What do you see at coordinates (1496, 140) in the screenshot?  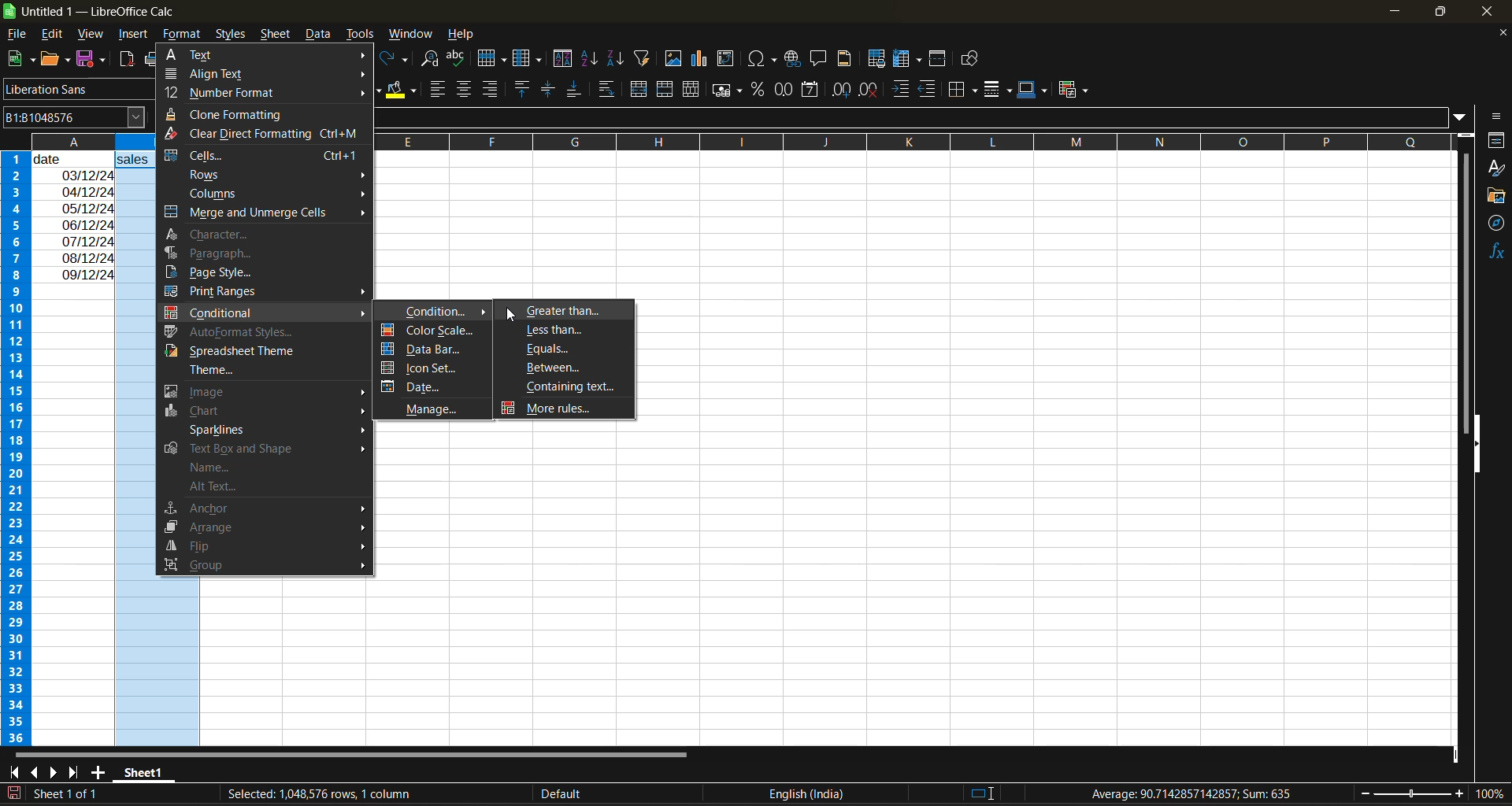 I see `properties` at bounding box center [1496, 140].